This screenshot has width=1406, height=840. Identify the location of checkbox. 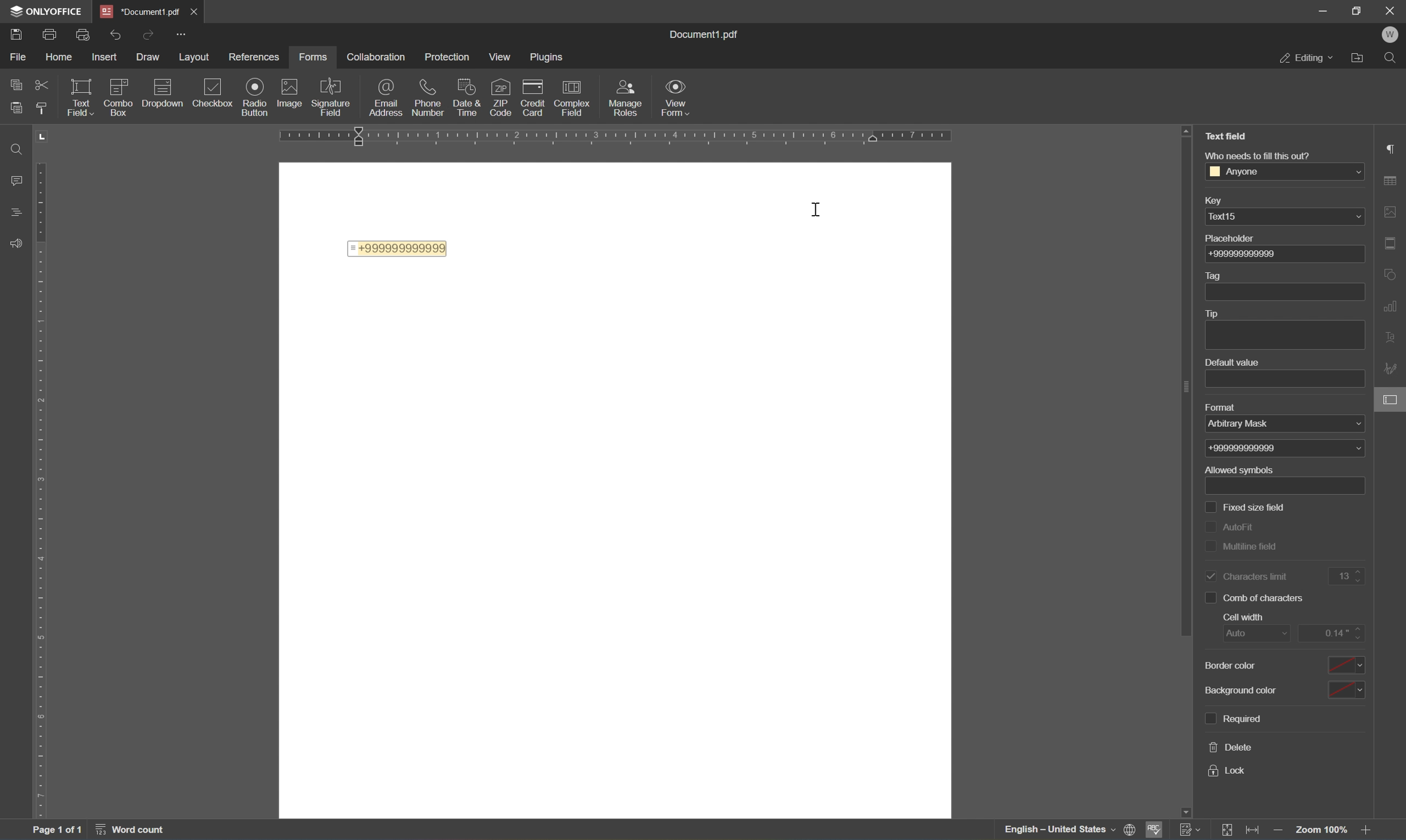
(216, 92).